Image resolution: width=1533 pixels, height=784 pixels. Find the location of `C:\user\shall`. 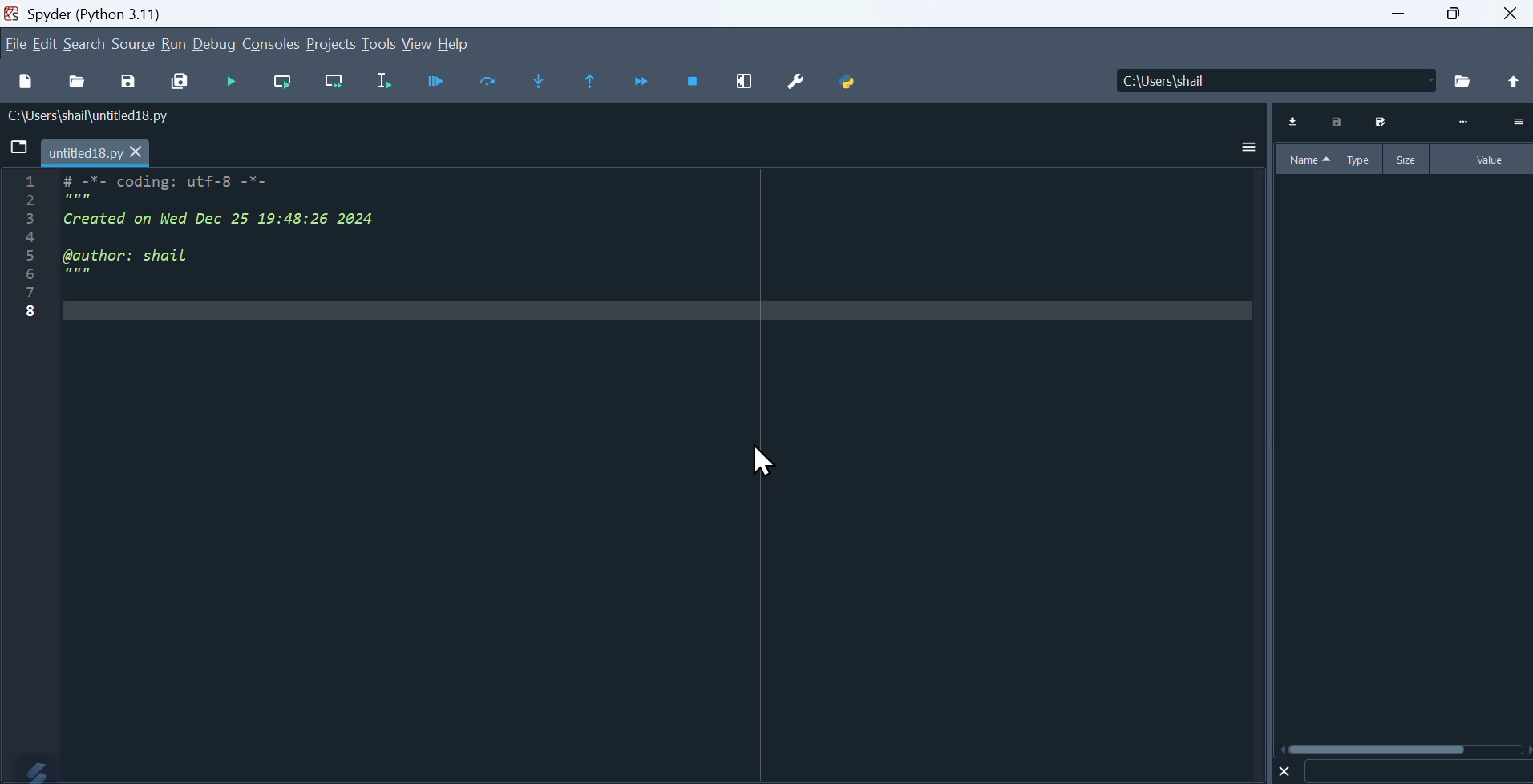

C:\user\shall is located at coordinates (1277, 80).